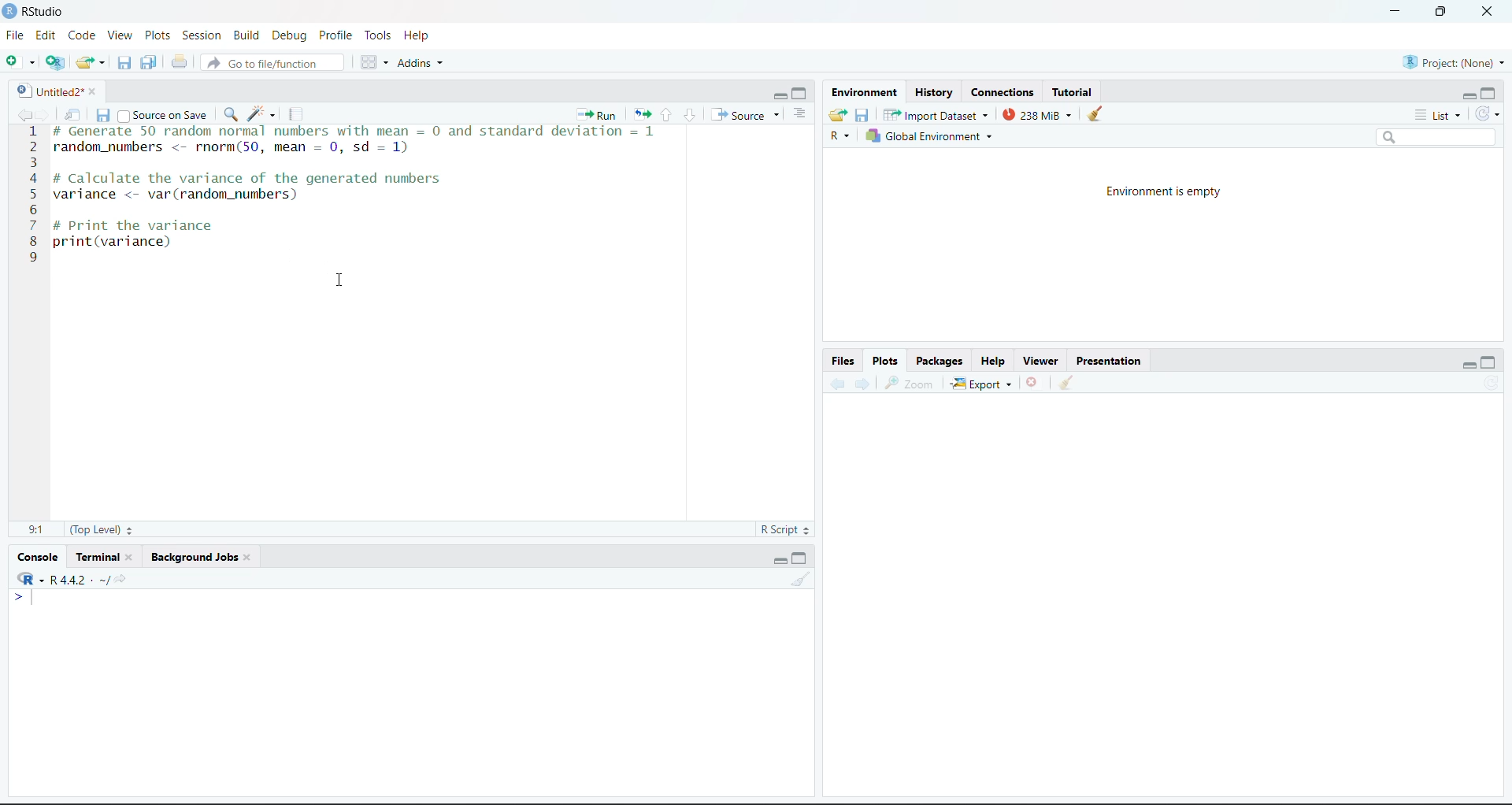 The width and height of the screenshot is (1512, 805). Describe the element at coordinates (44, 12) in the screenshot. I see `RStudio` at that location.